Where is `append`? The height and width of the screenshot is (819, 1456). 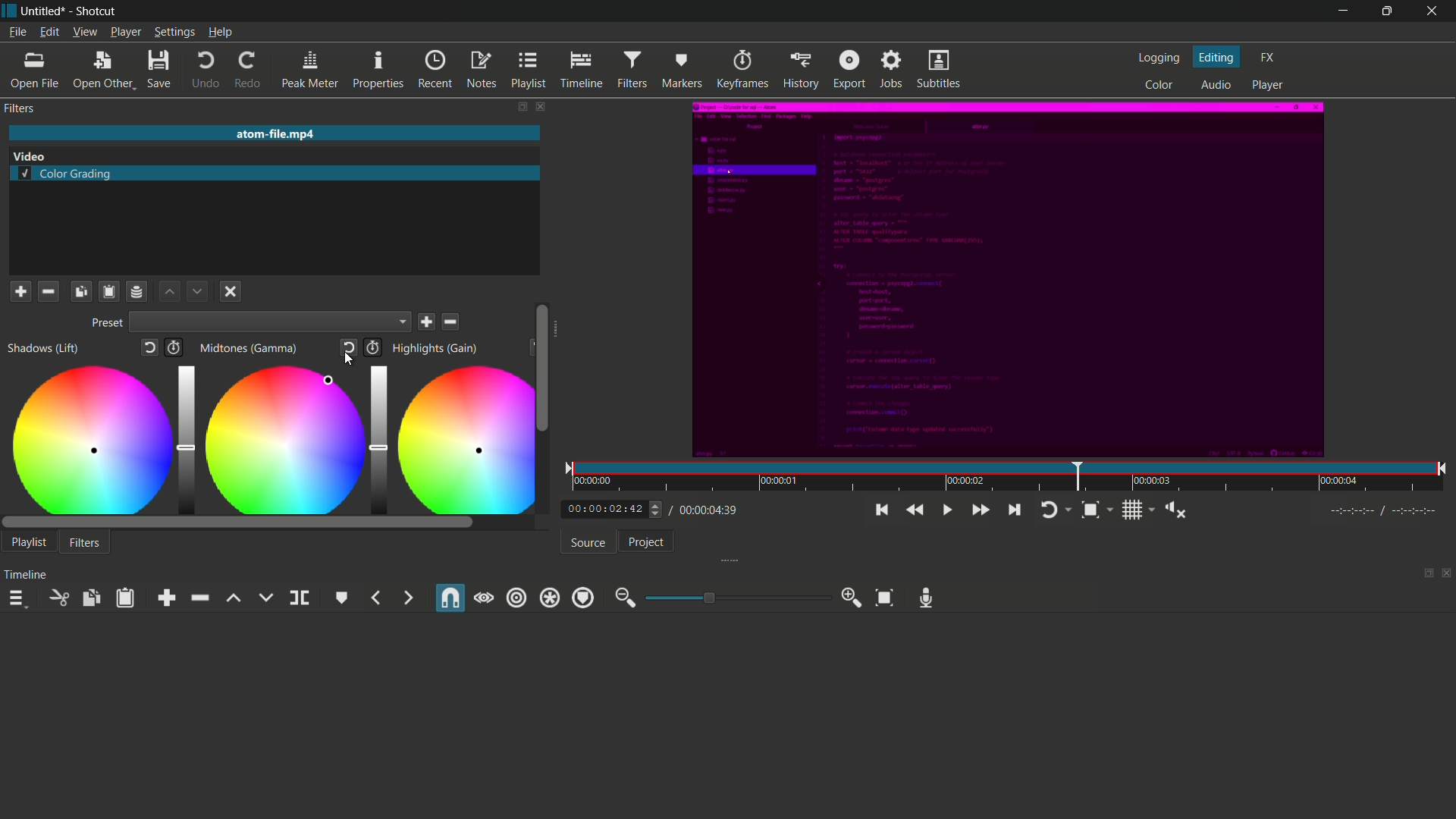
append is located at coordinates (170, 598).